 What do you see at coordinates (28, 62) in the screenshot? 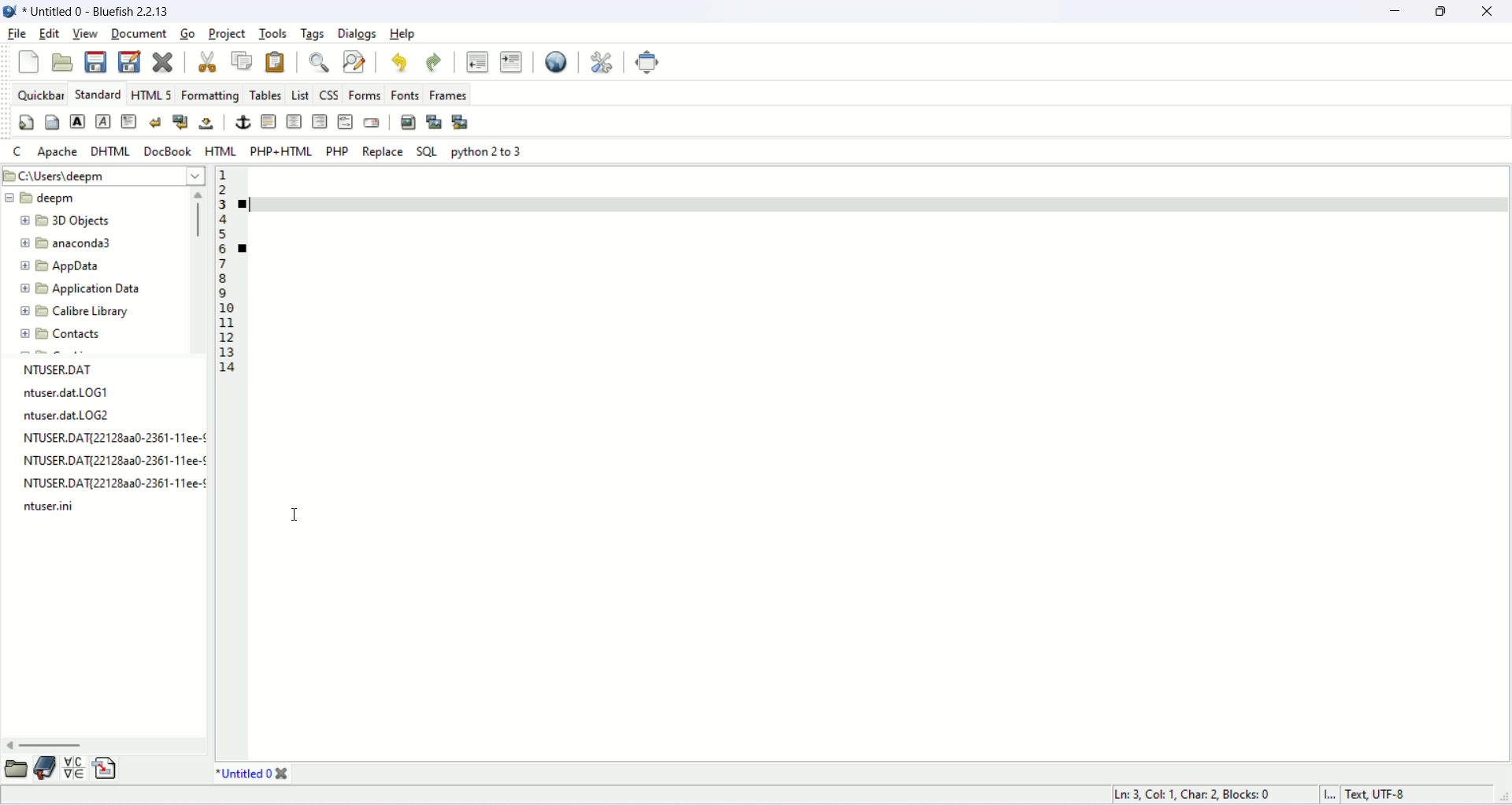
I see `new file` at bounding box center [28, 62].